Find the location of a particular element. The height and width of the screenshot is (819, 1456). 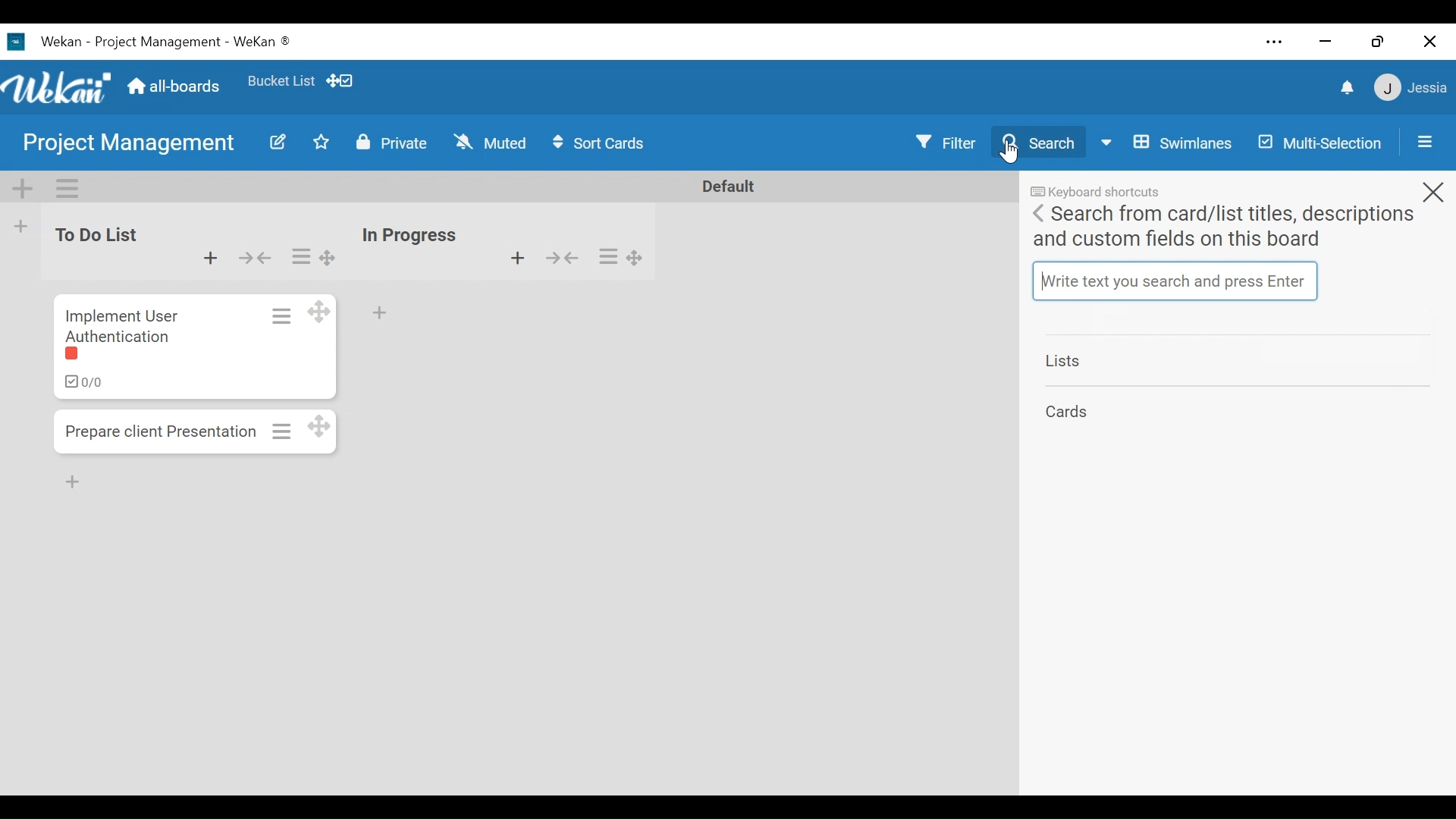

Private is located at coordinates (391, 144).